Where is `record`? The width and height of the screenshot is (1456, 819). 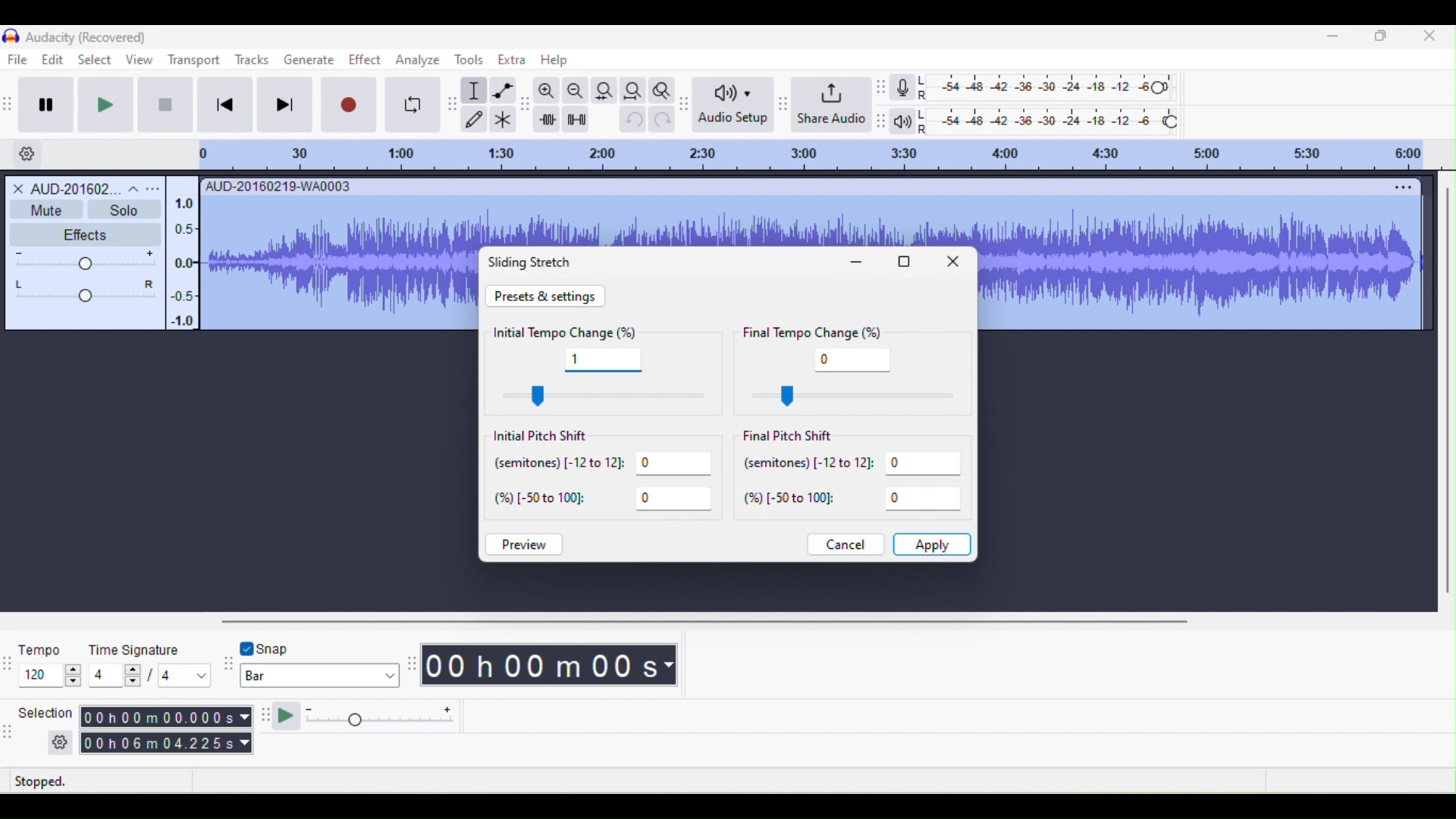
record is located at coordinates (350, 105).